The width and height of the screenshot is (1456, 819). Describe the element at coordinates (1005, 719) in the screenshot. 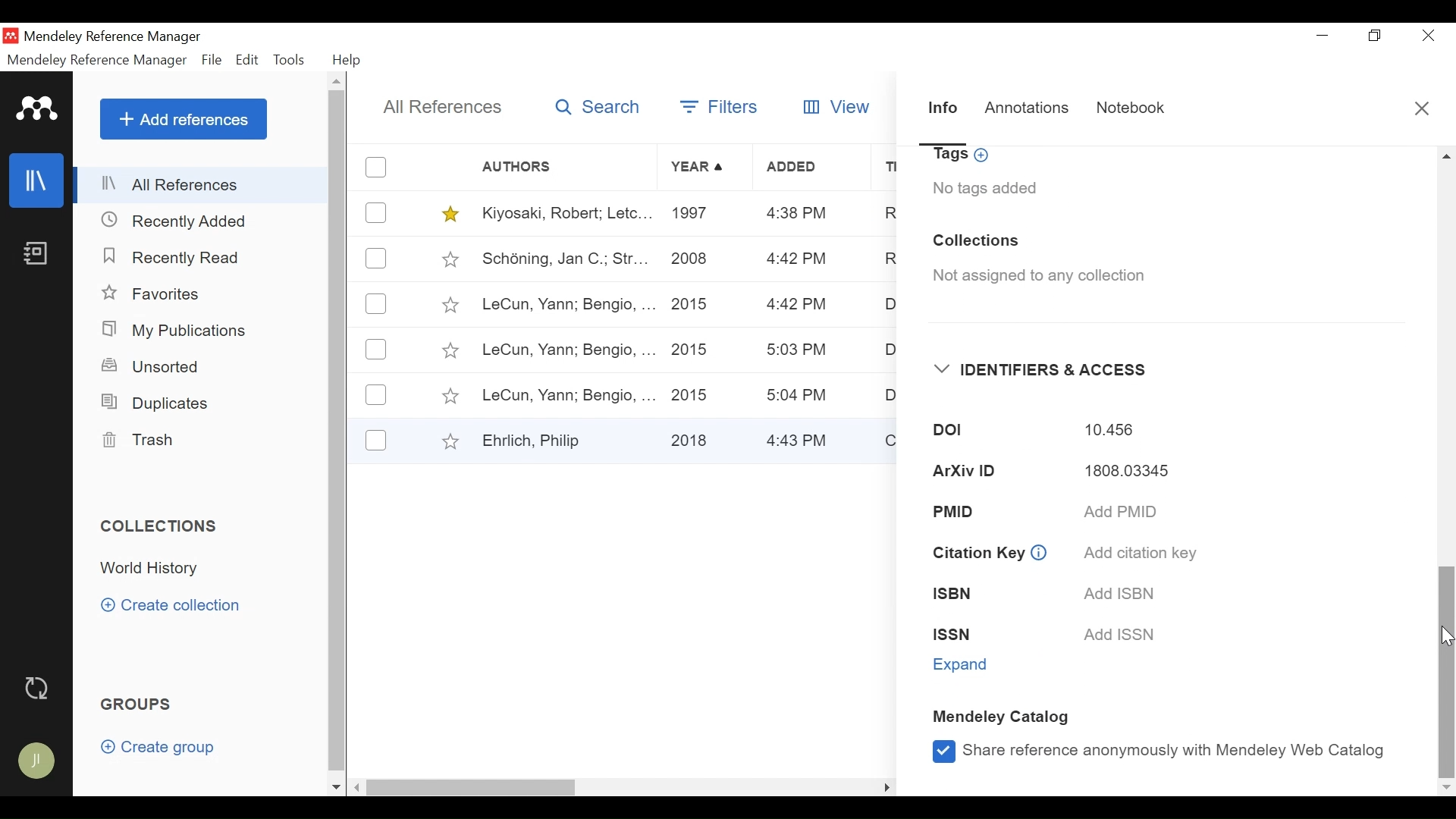

I see `Mendeley Catalogue` at that location.